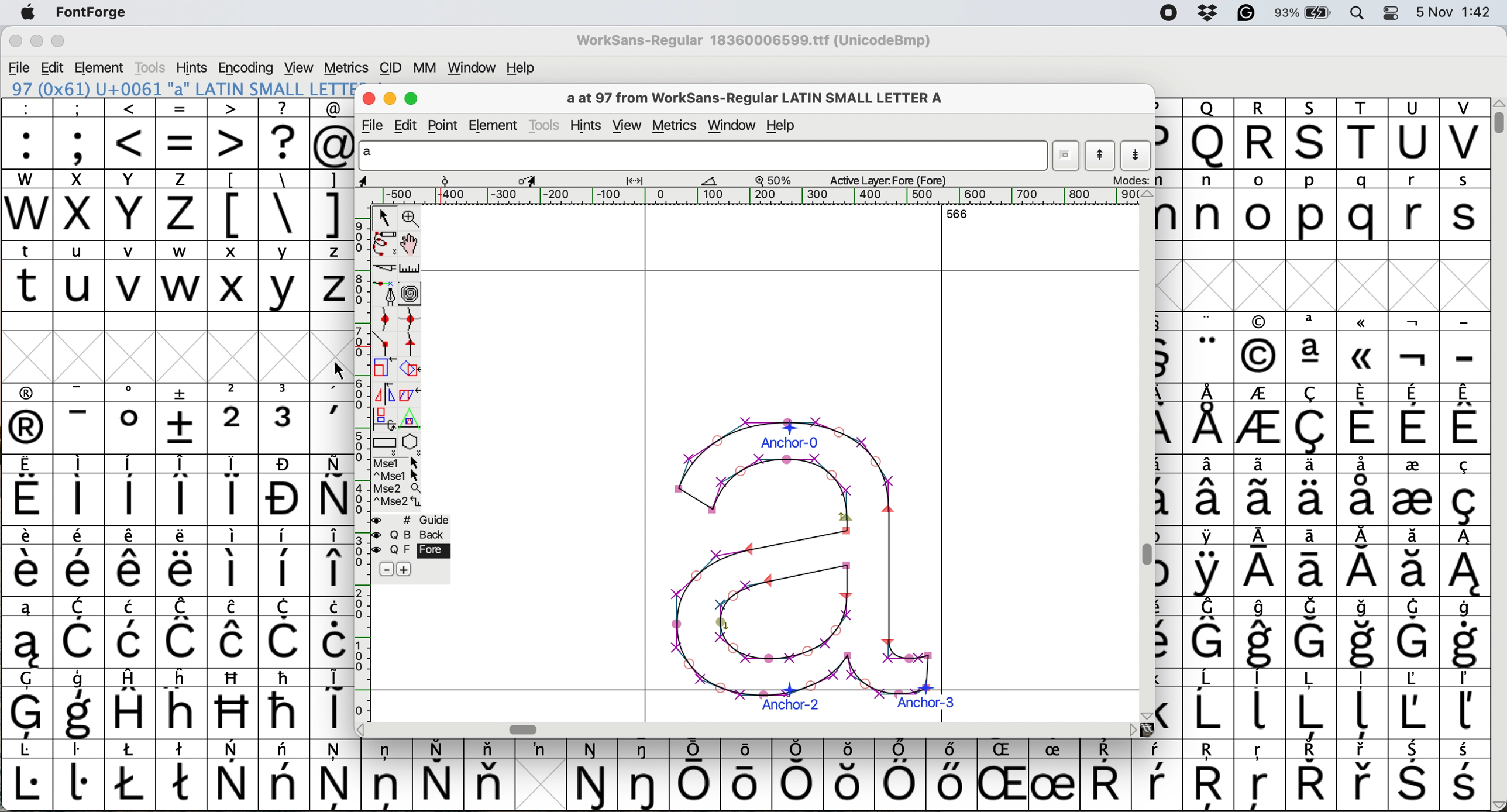  I want to click on symbol, so click(27, 776).